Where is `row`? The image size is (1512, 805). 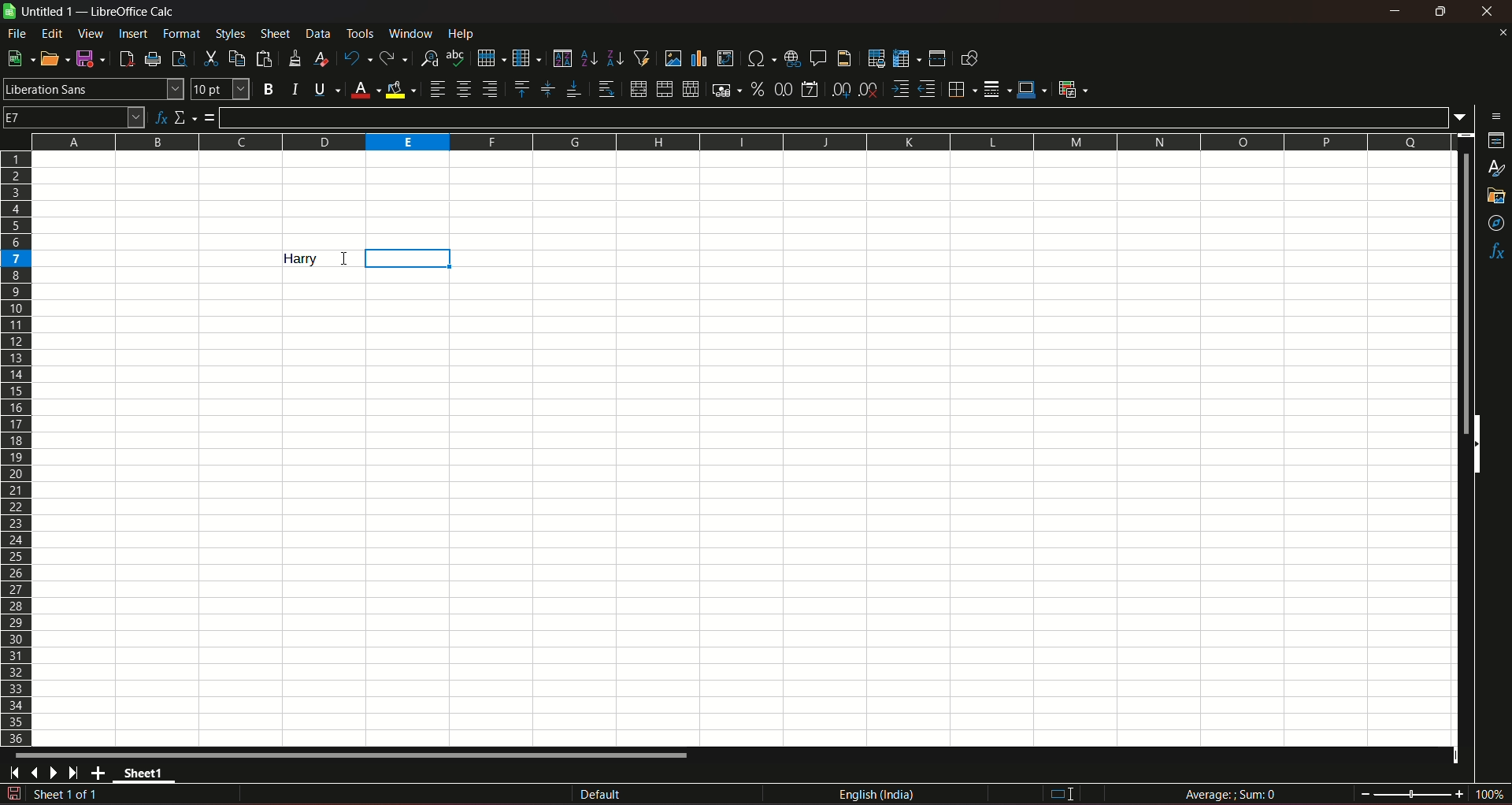
row is located at coordinates (487, 57).